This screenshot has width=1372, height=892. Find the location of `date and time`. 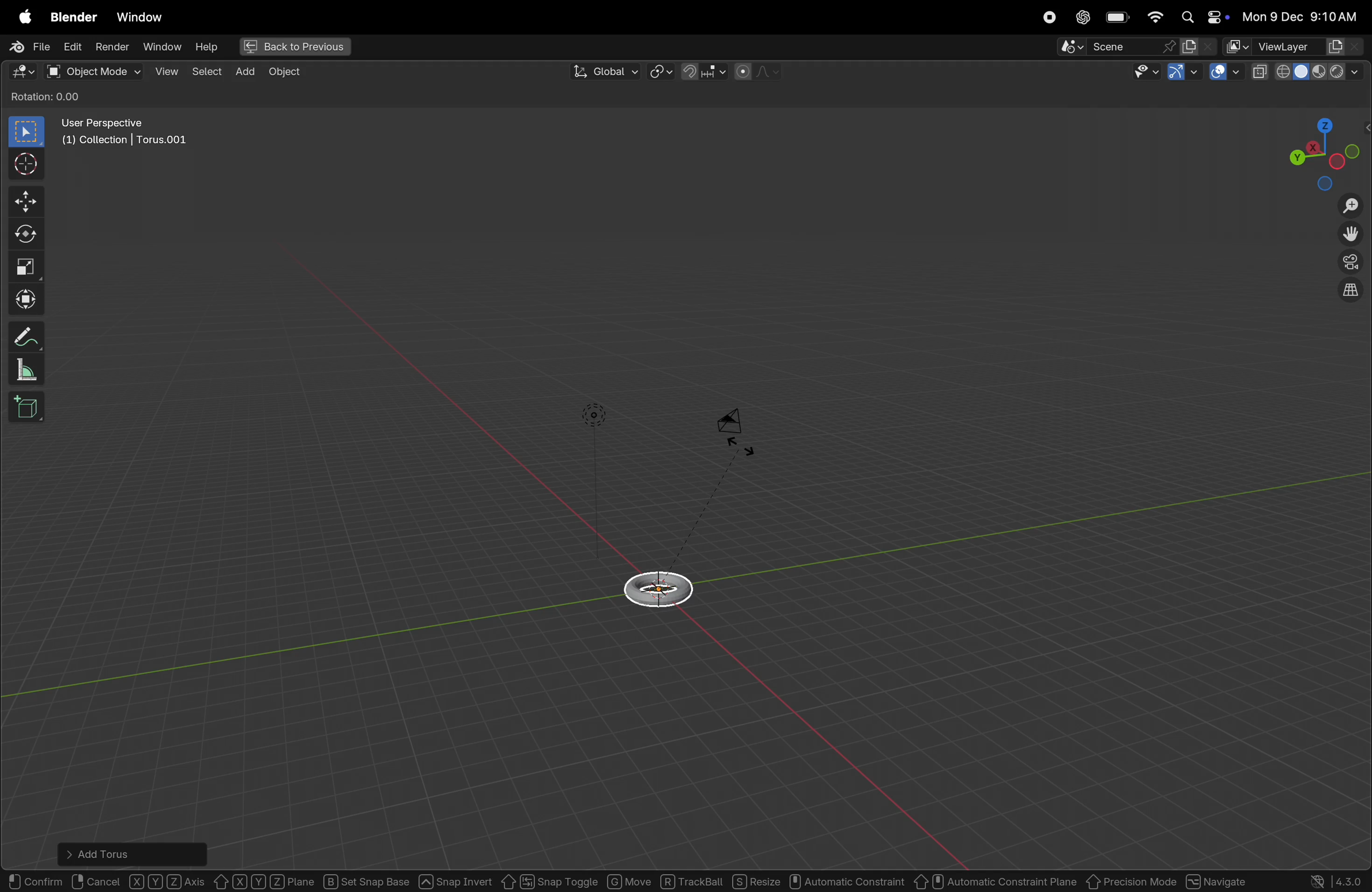

date and time is located at coordinates (1304, 16).